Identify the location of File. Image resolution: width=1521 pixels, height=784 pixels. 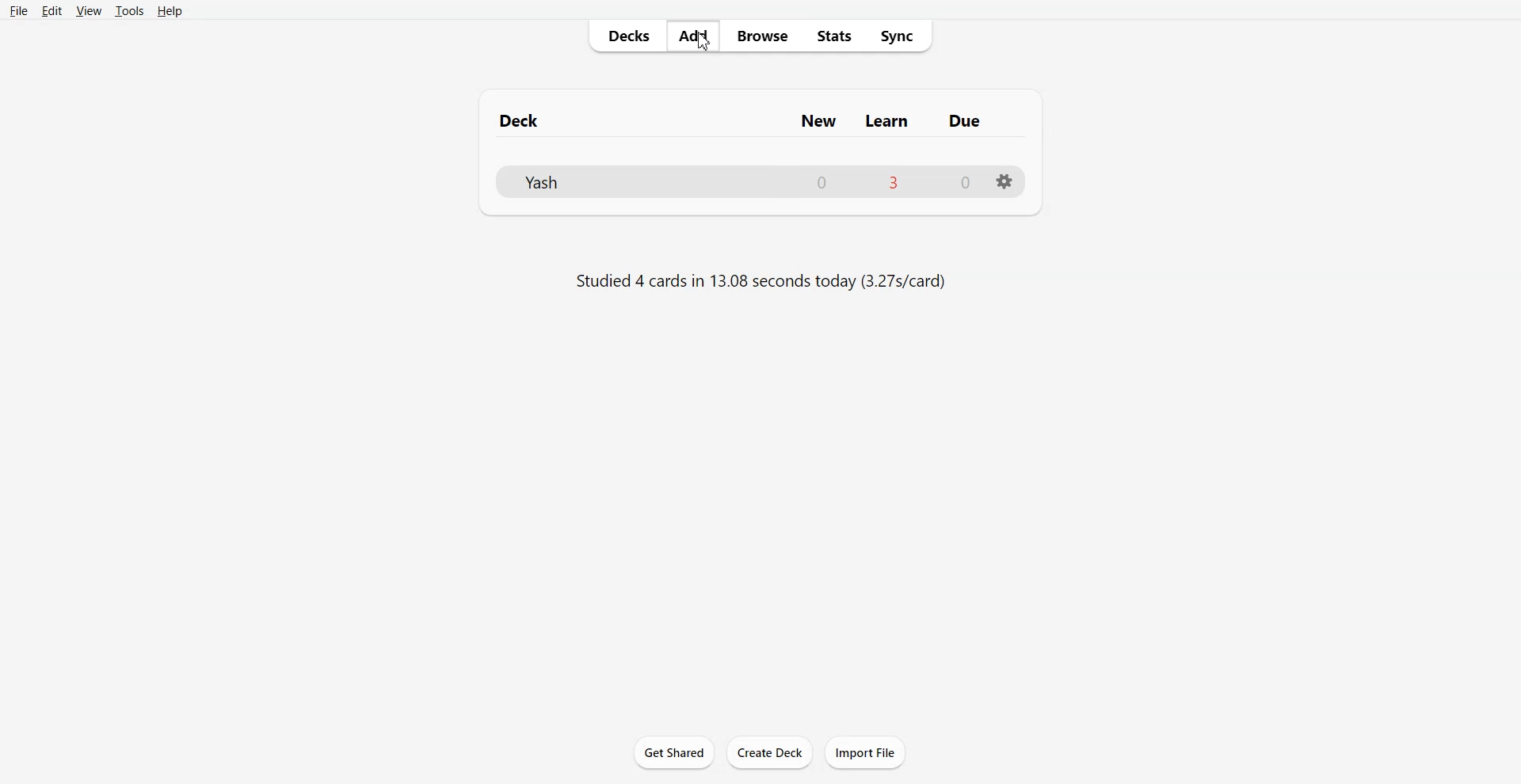
(20, 10).